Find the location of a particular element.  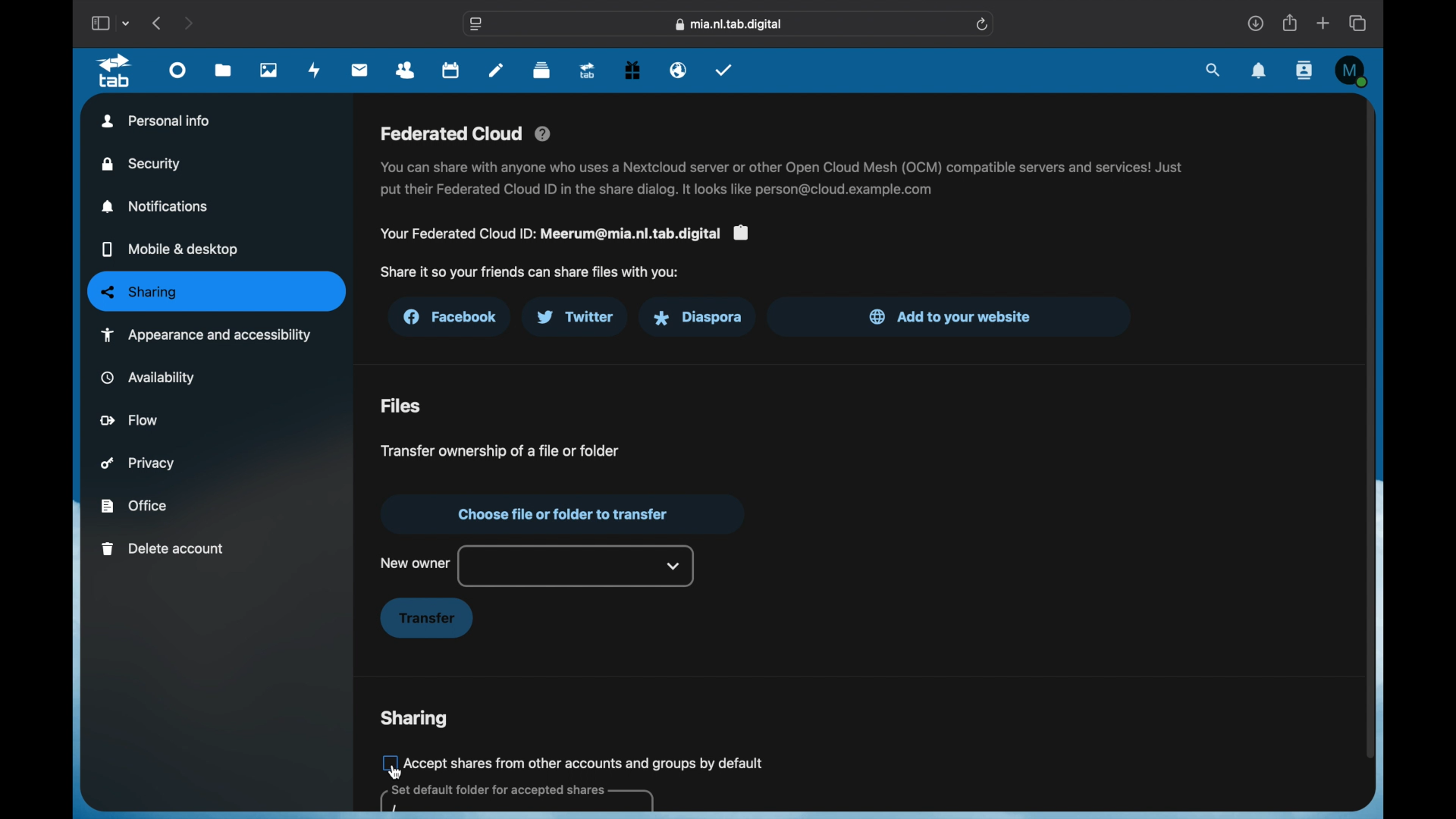

email is located at coordinates (679, 71).